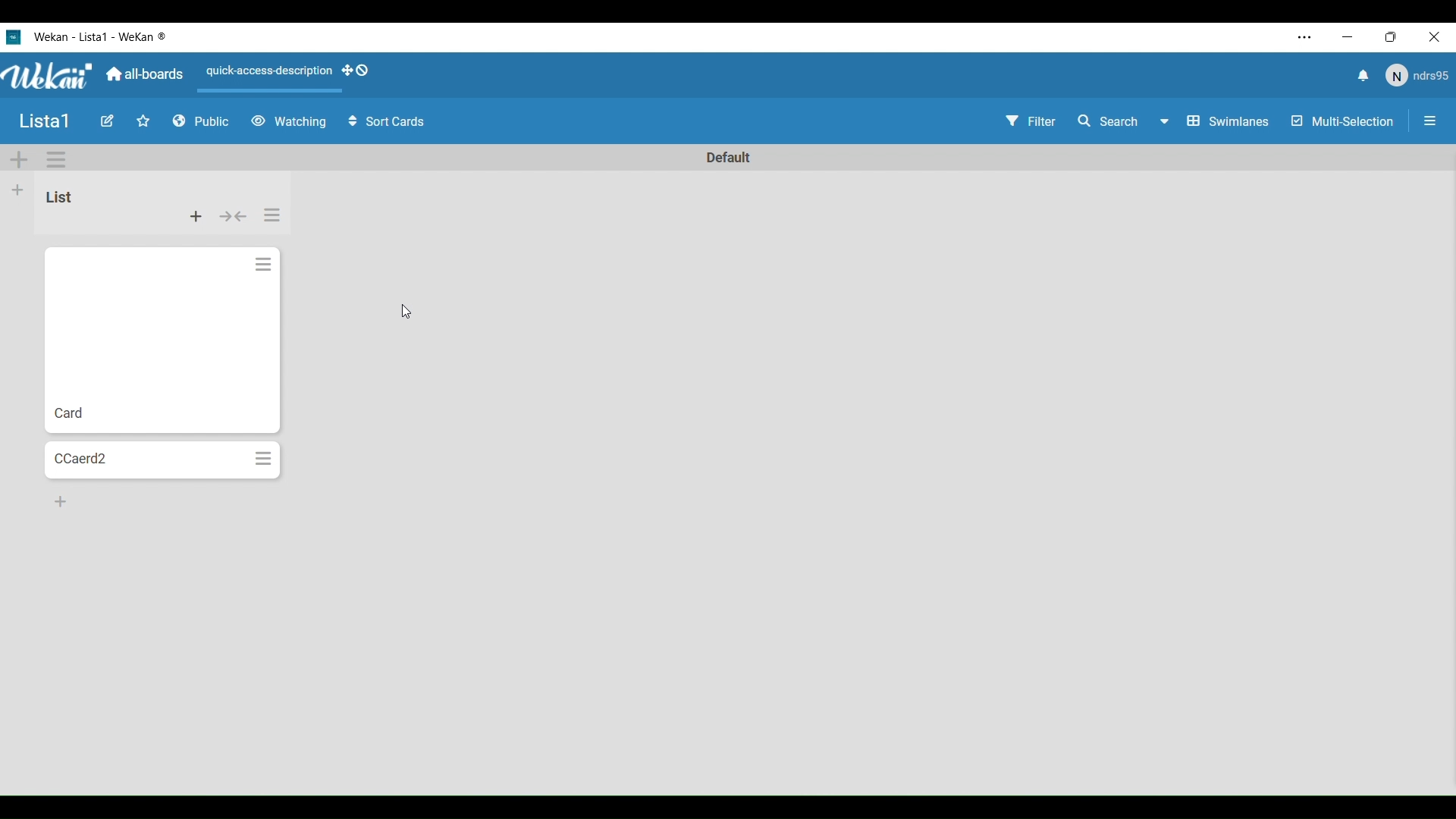 This screenshot has width=1456, height=819. Describe the element at coordinates (288, 122) in the screenshot. I see `Watching` at that location.